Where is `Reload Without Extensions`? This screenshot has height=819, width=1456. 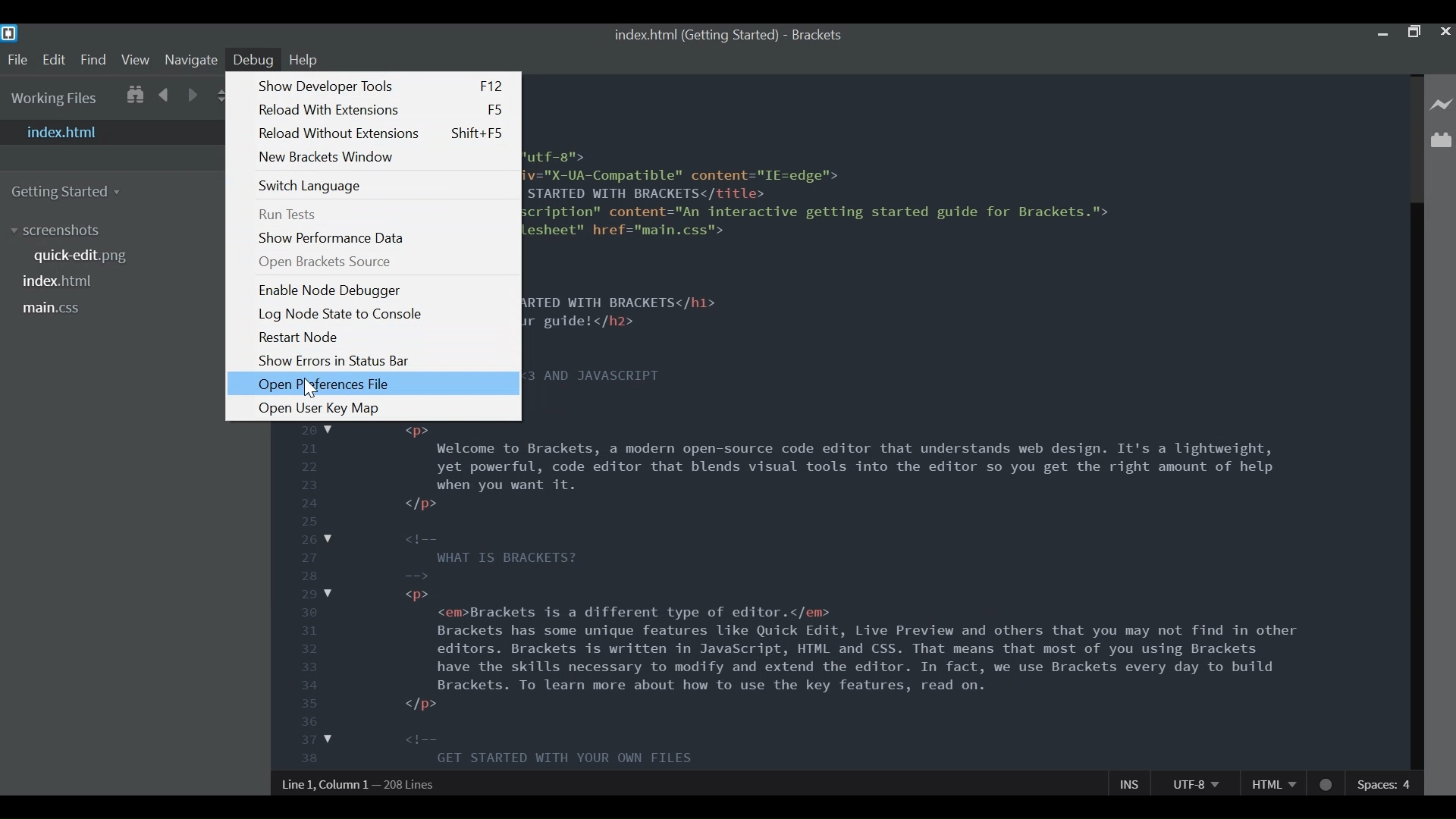 Reload Without Extensions is located at coordinates (380, 133).